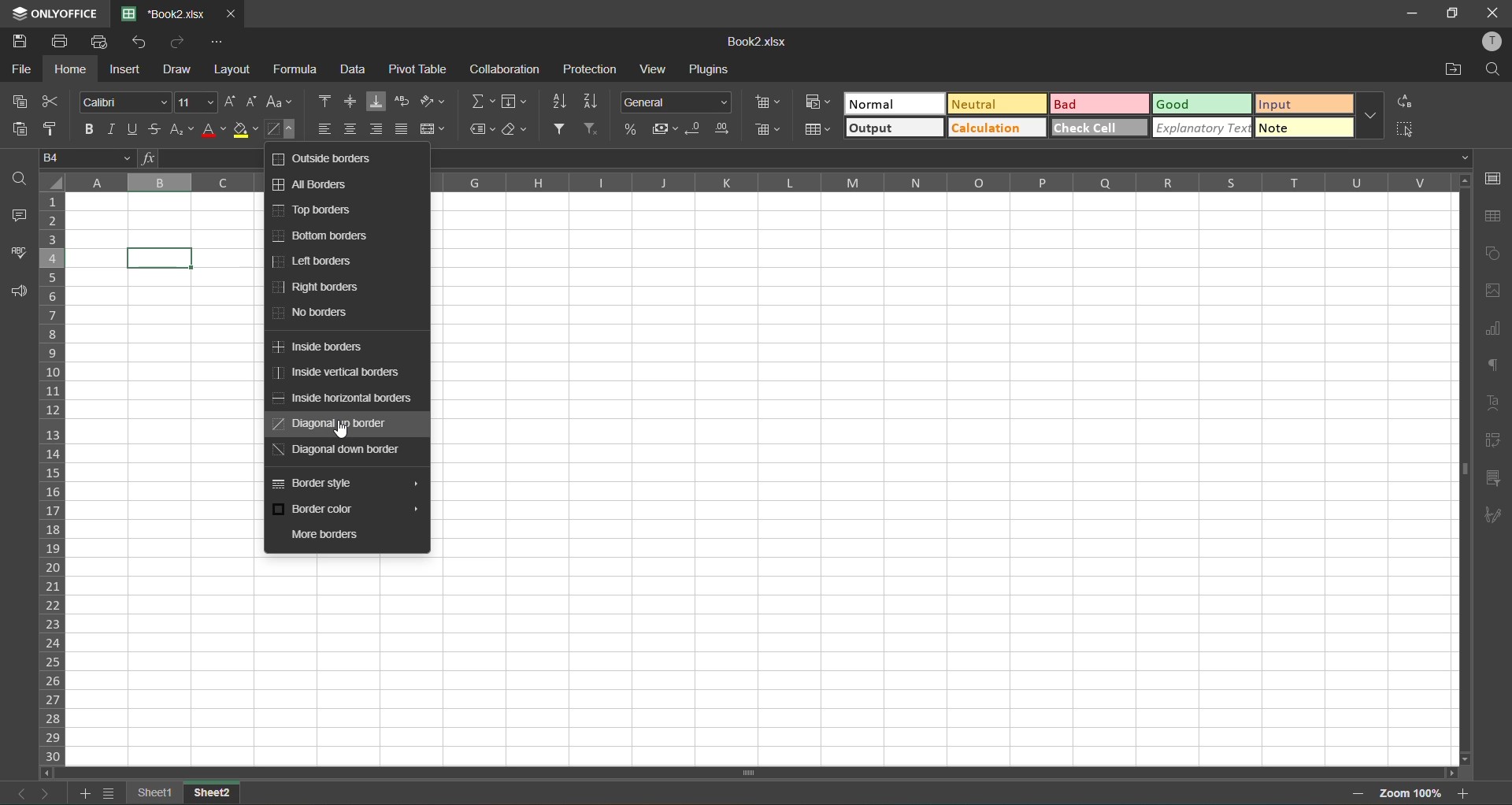  What do you see at coordinates (25, 69) in the screenshot?
I see `file` at bounding box center [25, 69].